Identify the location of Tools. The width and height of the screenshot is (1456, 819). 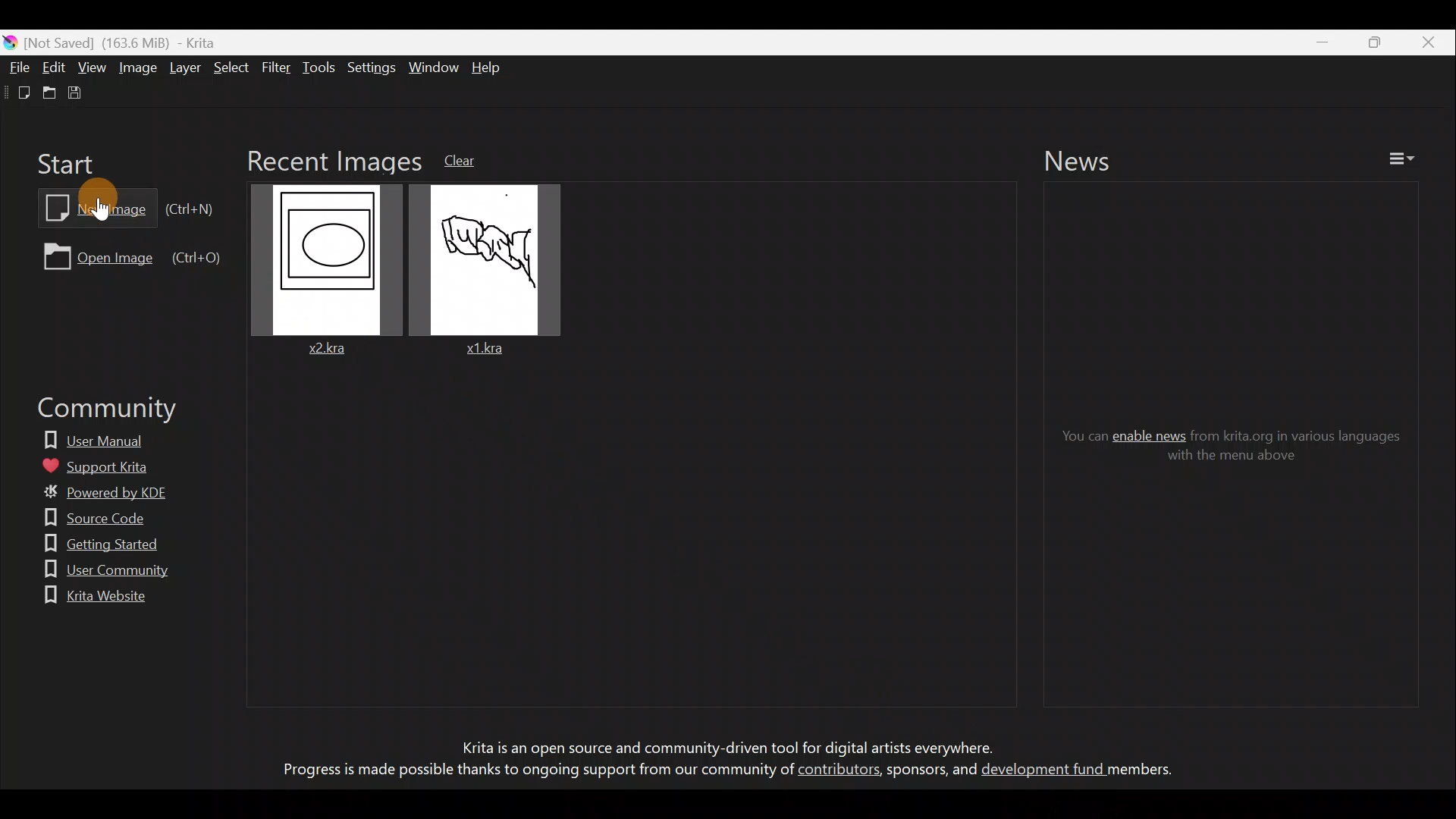
(322, 68).